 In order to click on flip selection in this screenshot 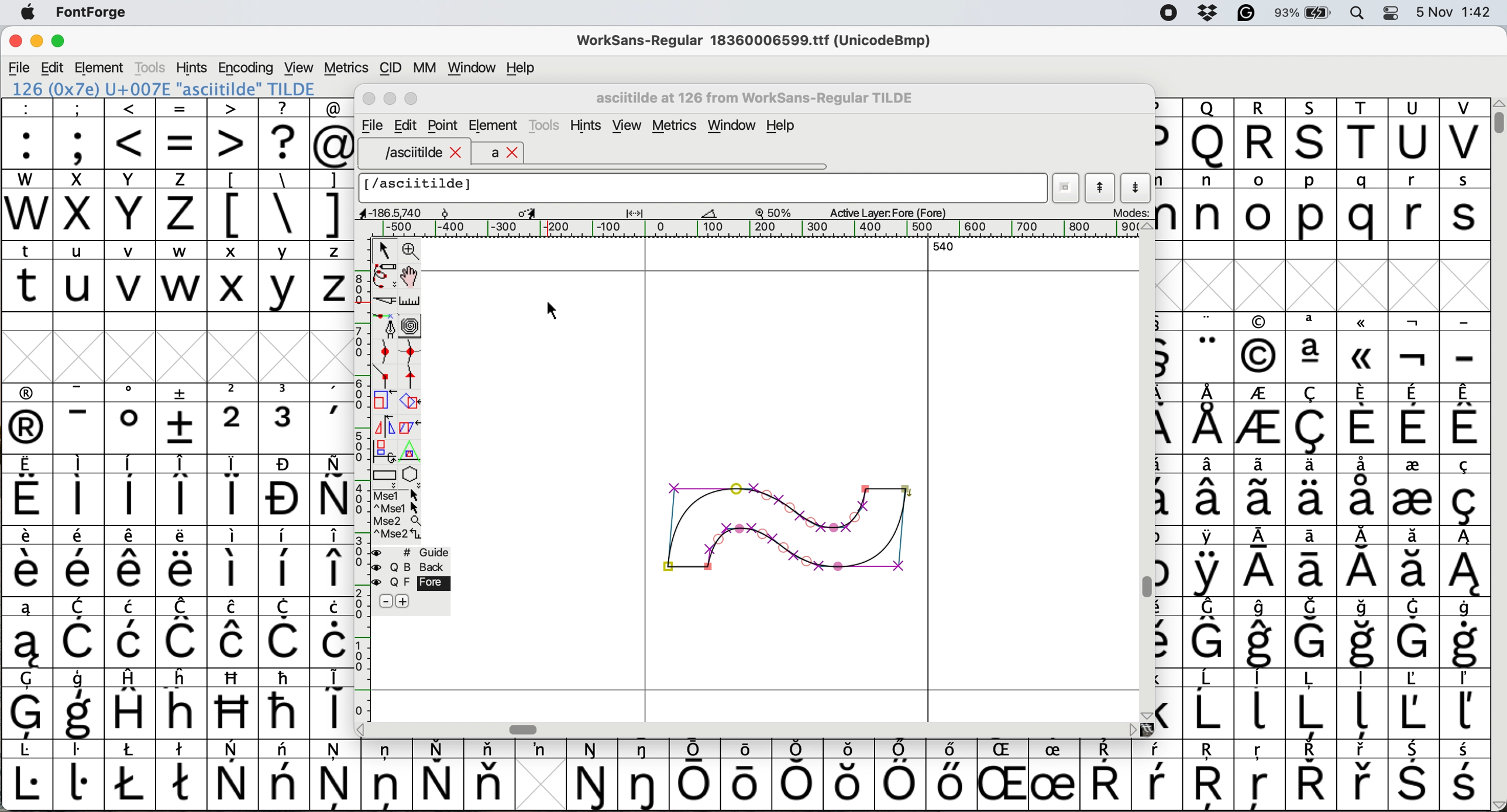, I will do `click(384, 425)`.